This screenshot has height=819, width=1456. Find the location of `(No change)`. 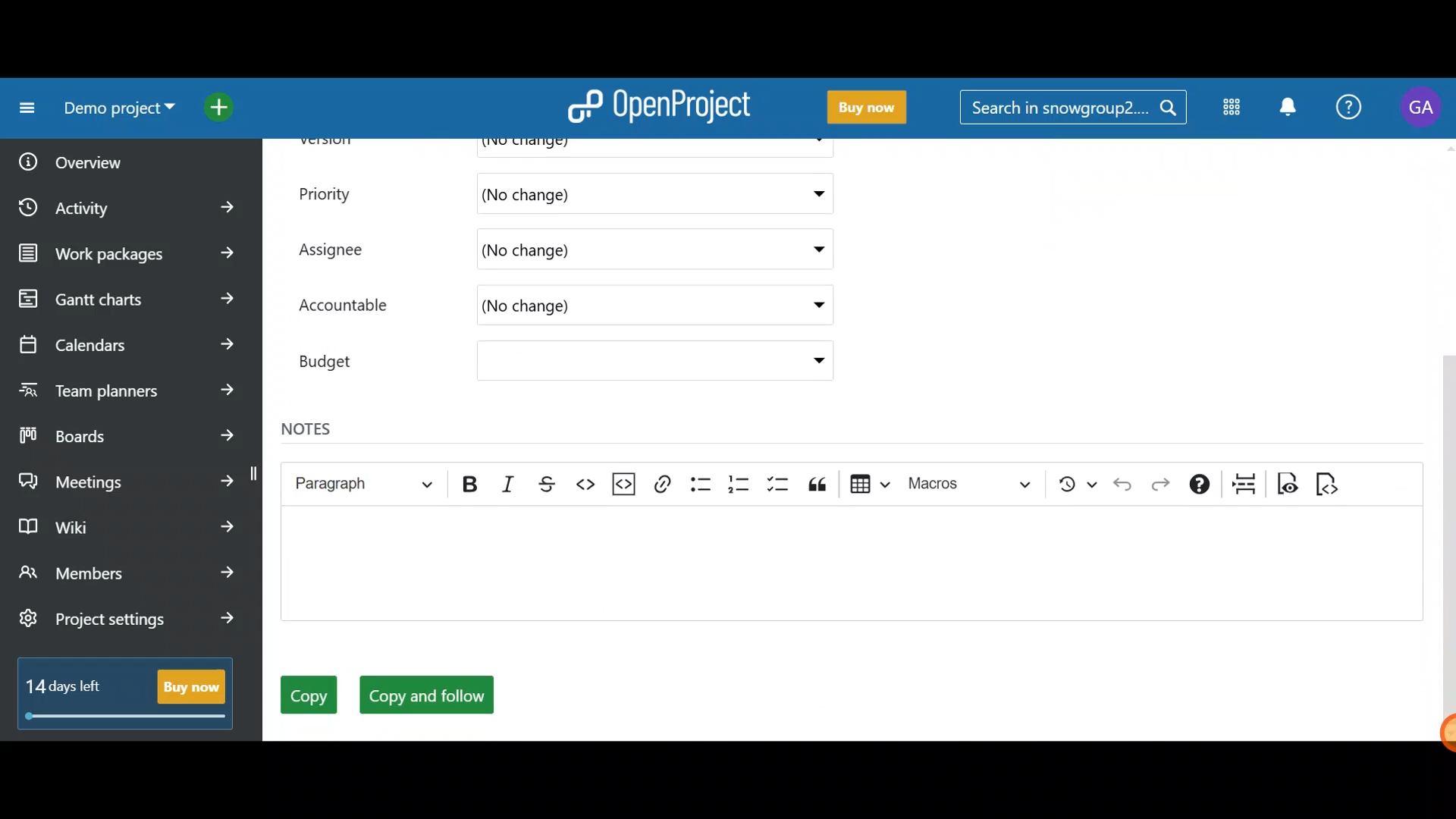

(No change) is located at coordinates (620, 190).